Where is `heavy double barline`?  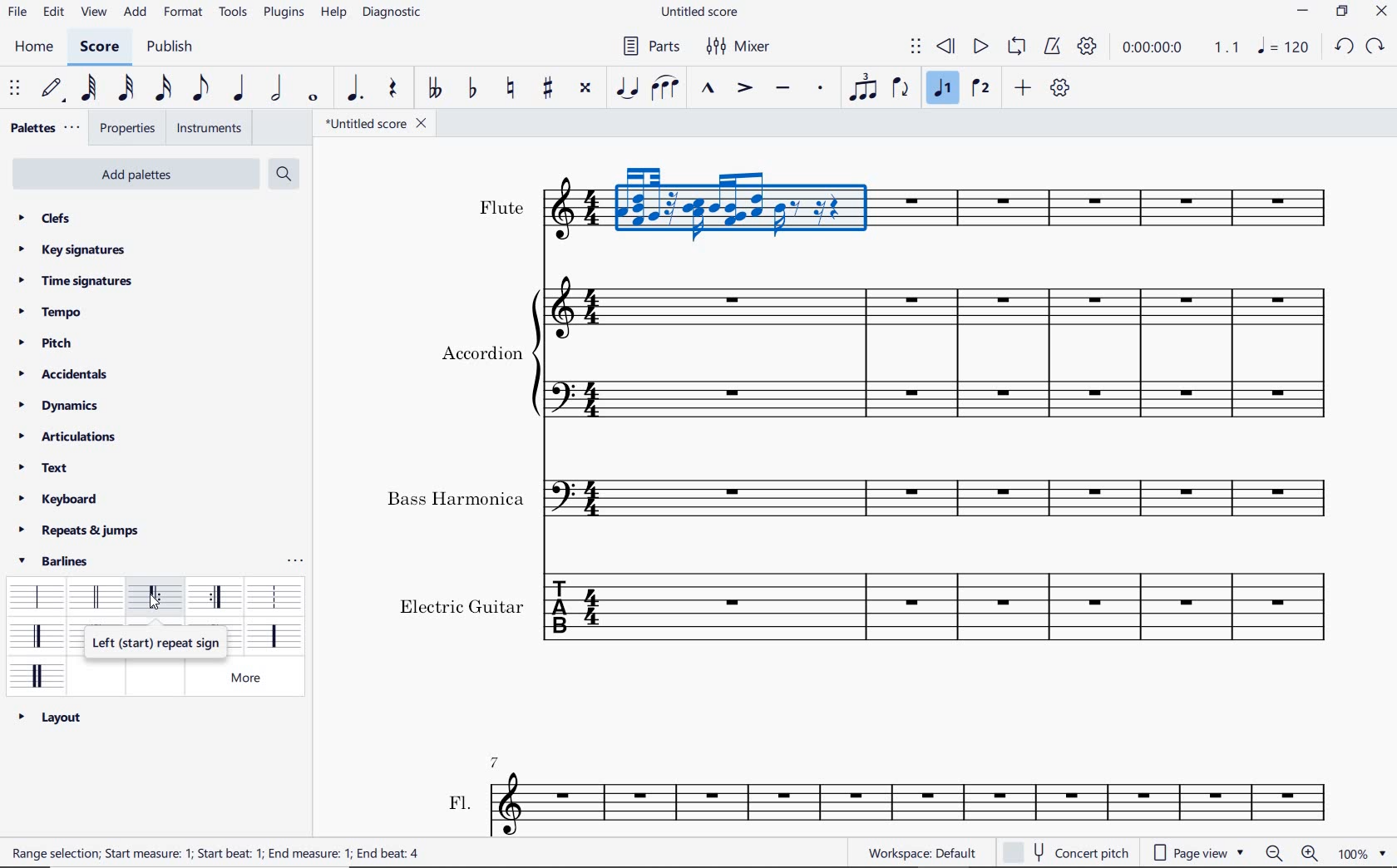 heavy double barline is located at coordinates (37, 674).